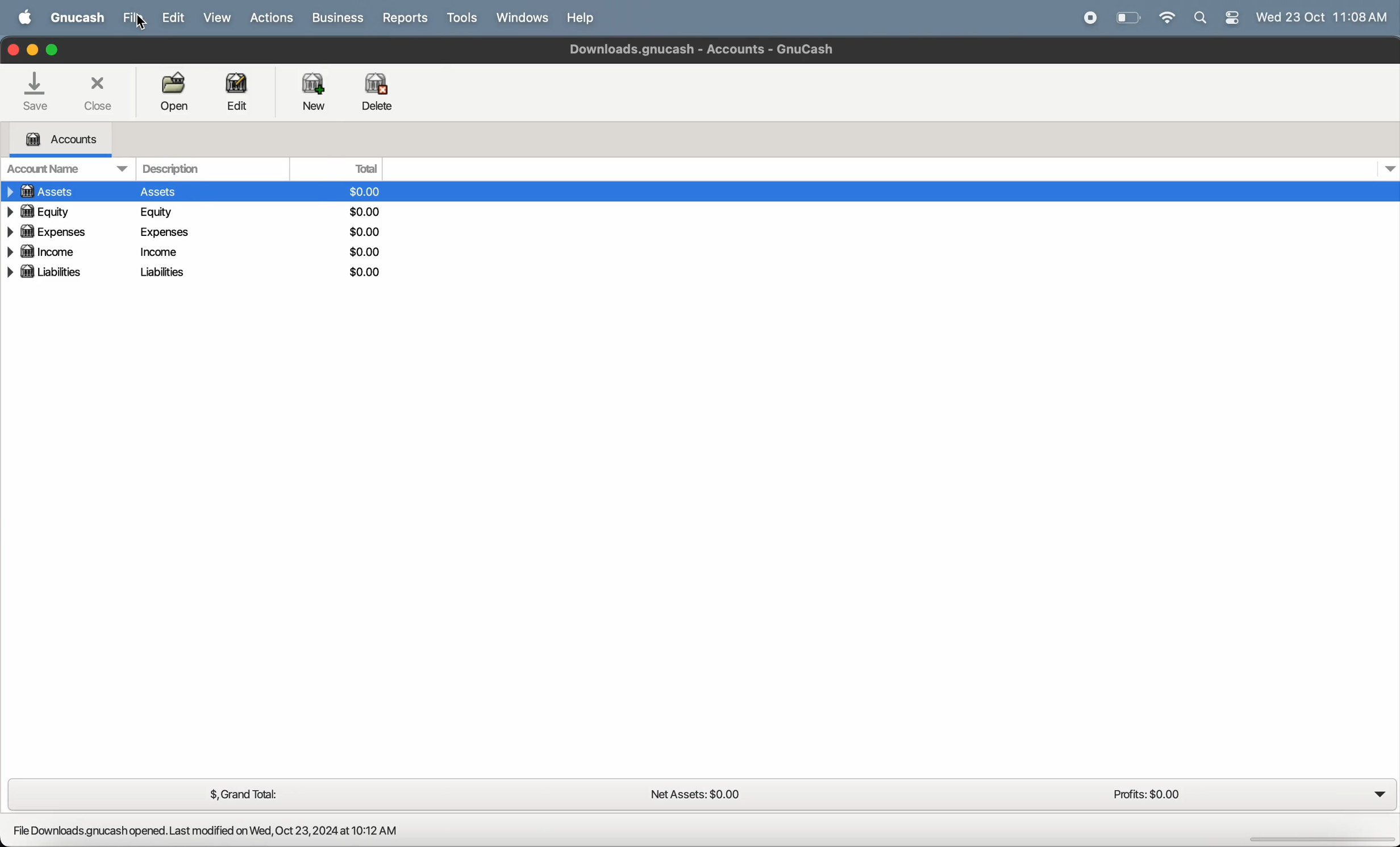  I want to click on profits, so click(1152, 795).